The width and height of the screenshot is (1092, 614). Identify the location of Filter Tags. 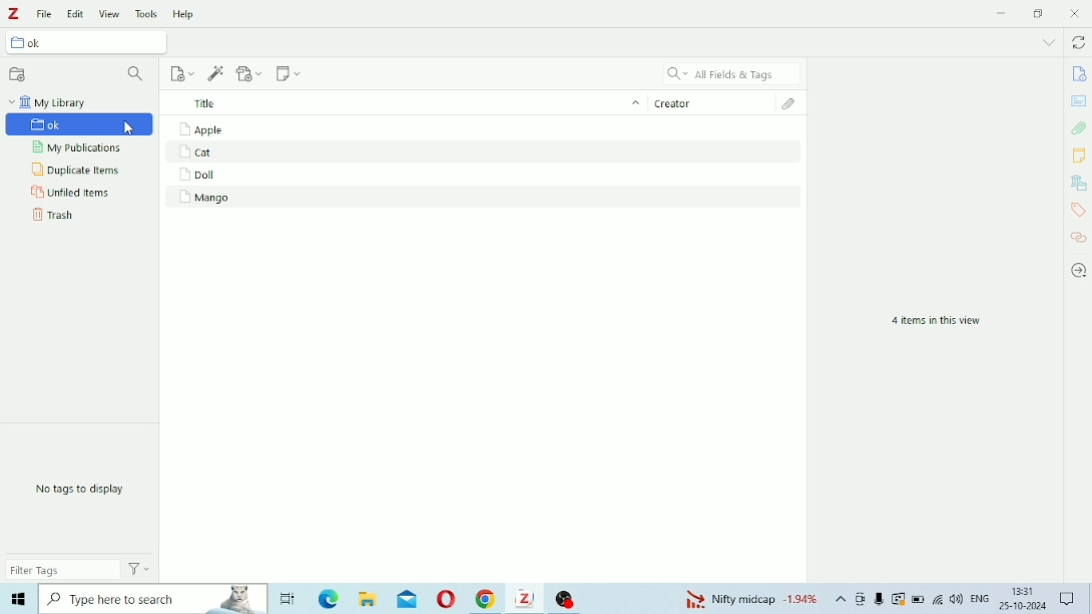
(63, 569).